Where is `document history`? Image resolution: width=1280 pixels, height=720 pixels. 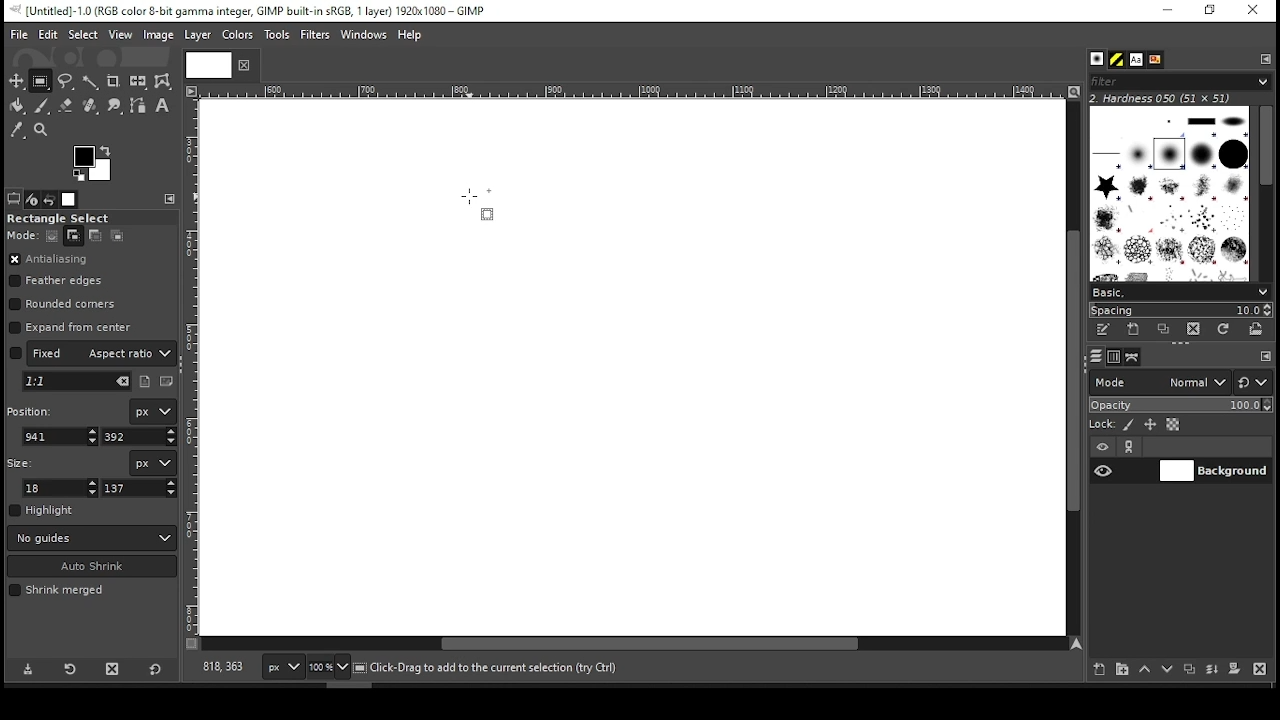 document history is located at coordinates (1154, 60).